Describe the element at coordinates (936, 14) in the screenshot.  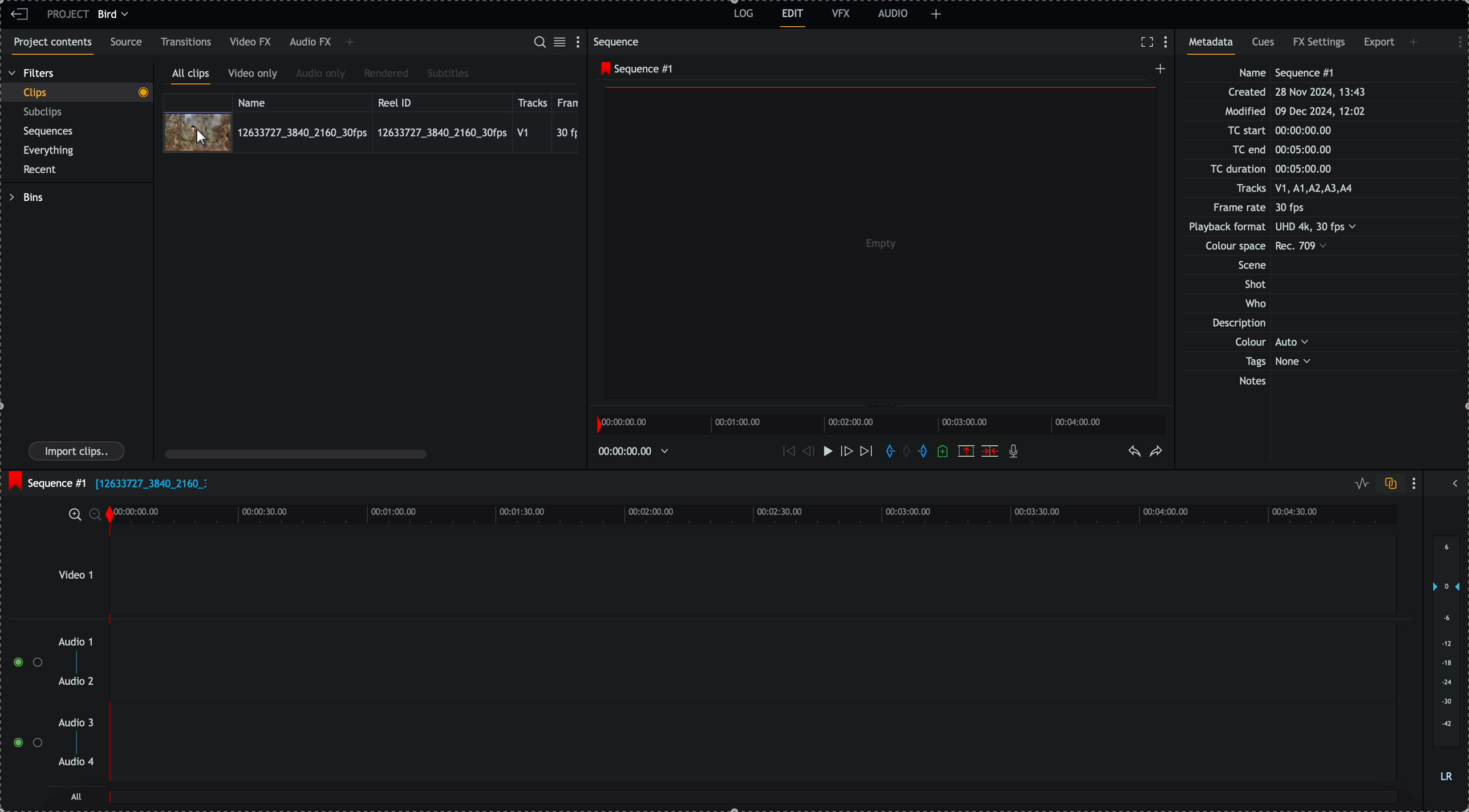
I see `add panel` at that location.